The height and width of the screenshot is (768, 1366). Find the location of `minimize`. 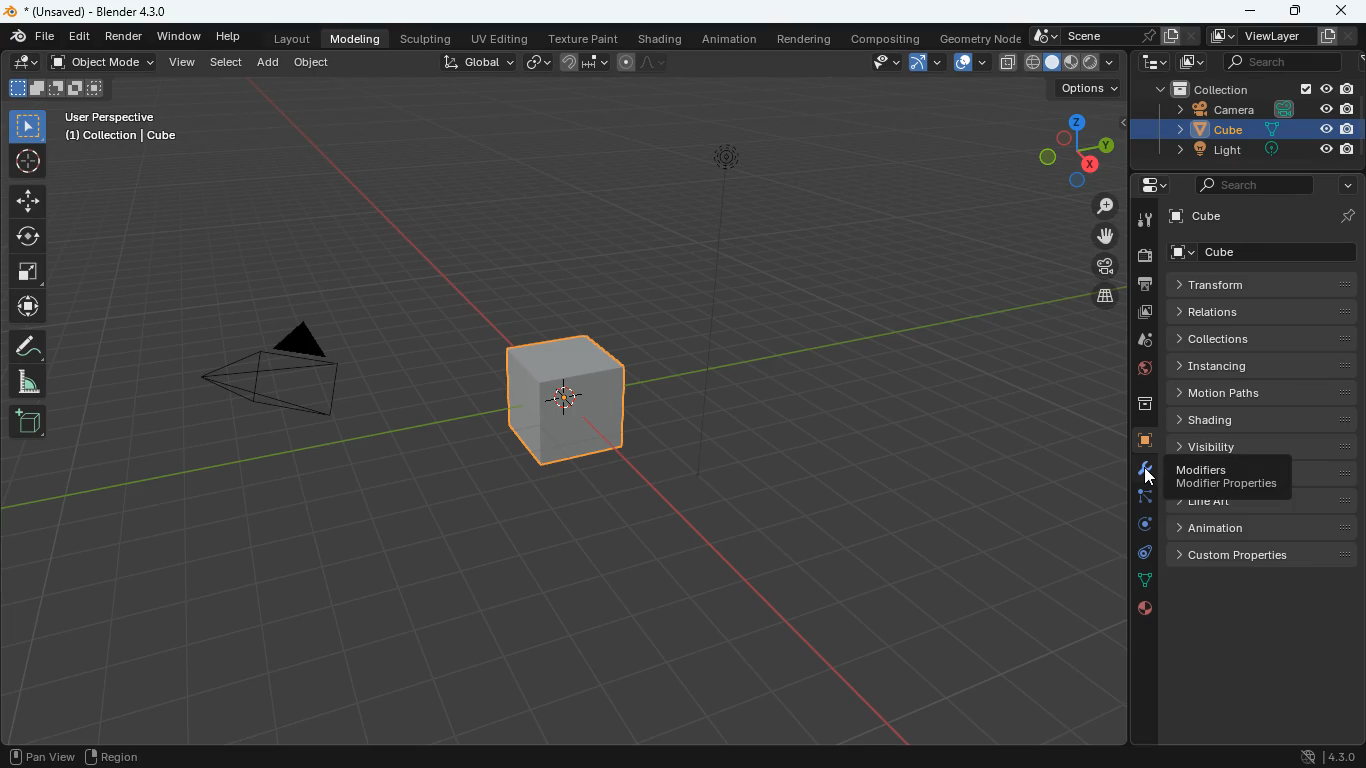

minimize is located at coordinates (1251, 12).